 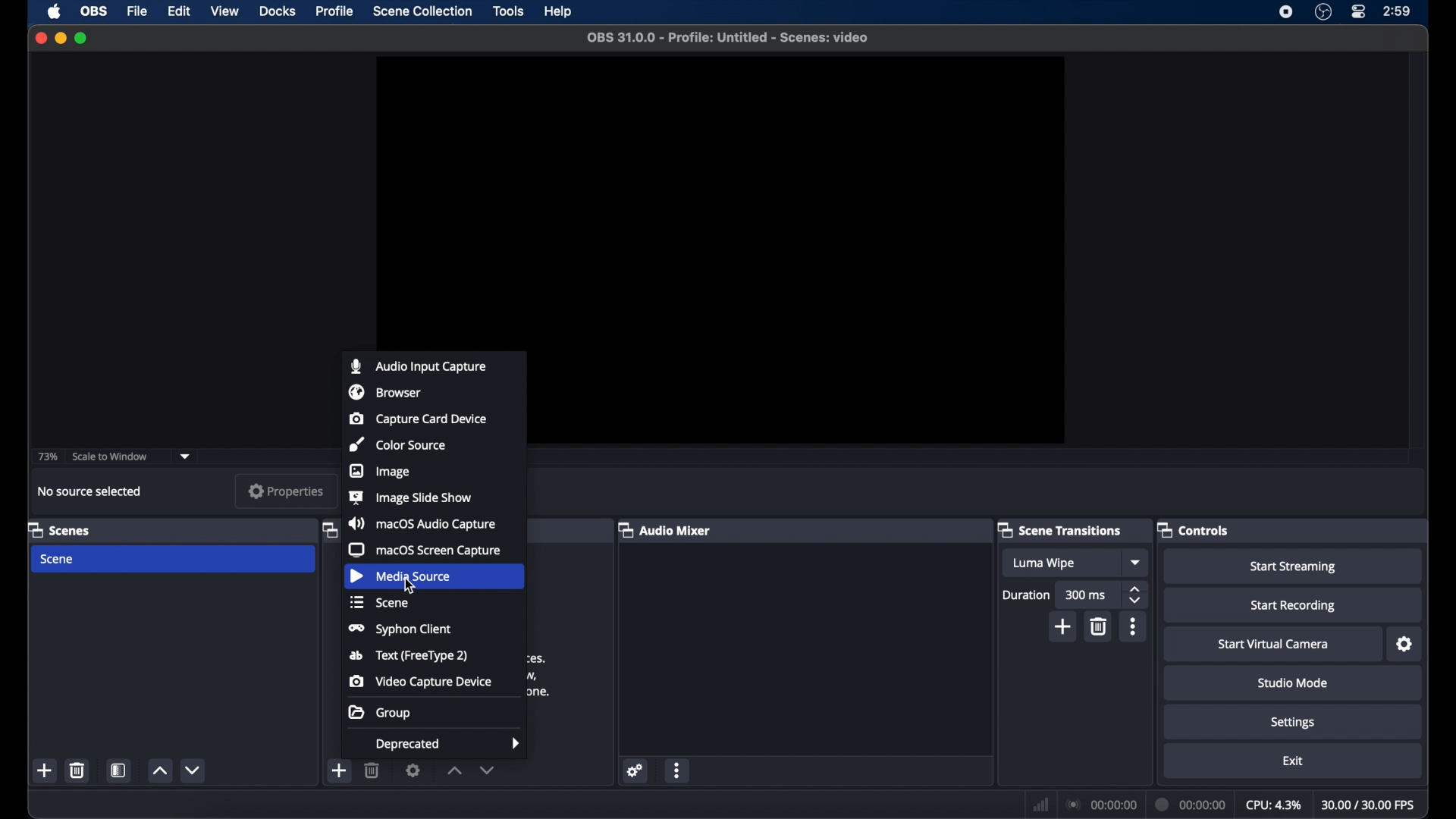 What do you see at coordinates (1406, 645) in the screenshot?
I see `settings` at bounding box center [1406, 645].